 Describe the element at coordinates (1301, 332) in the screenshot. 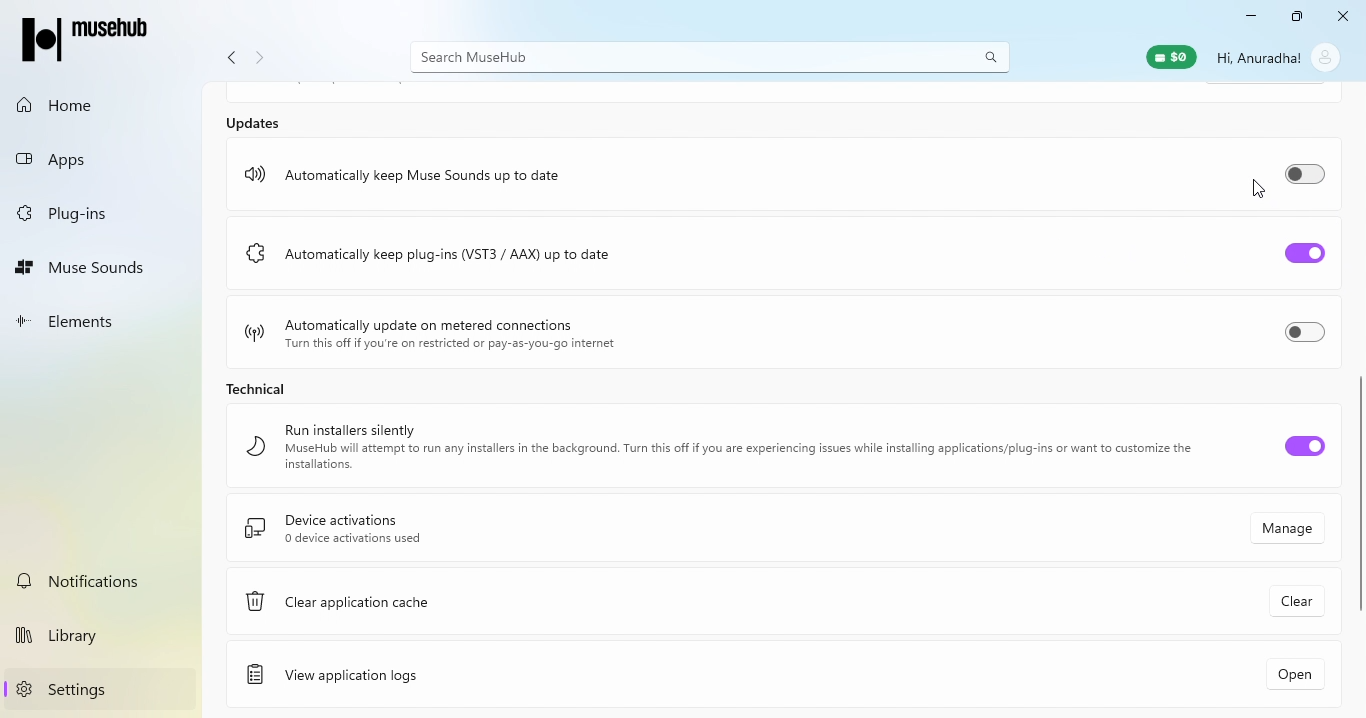

I see `Toggle` at that location.